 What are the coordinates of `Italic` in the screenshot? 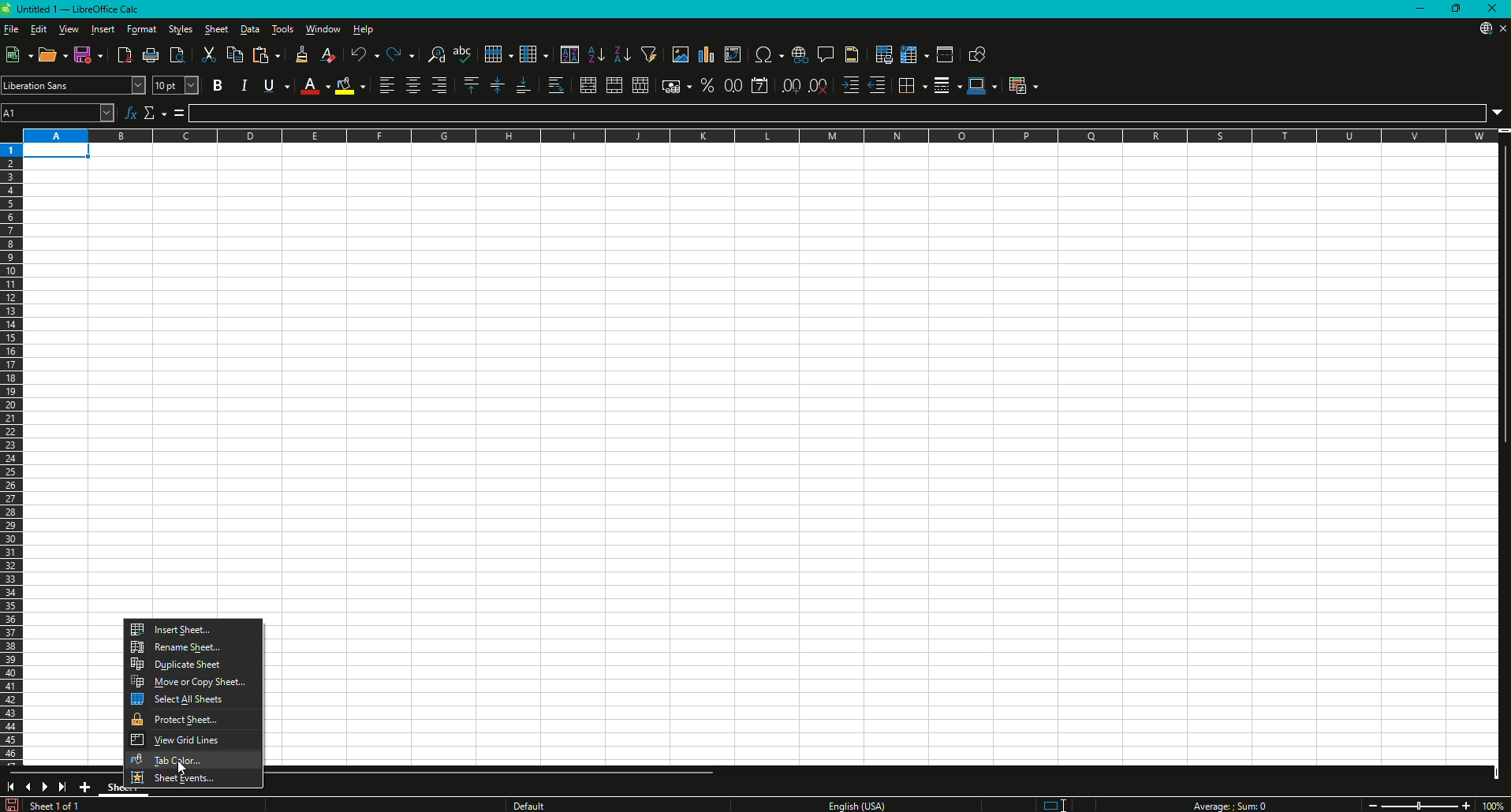 It's located at (244, 85).